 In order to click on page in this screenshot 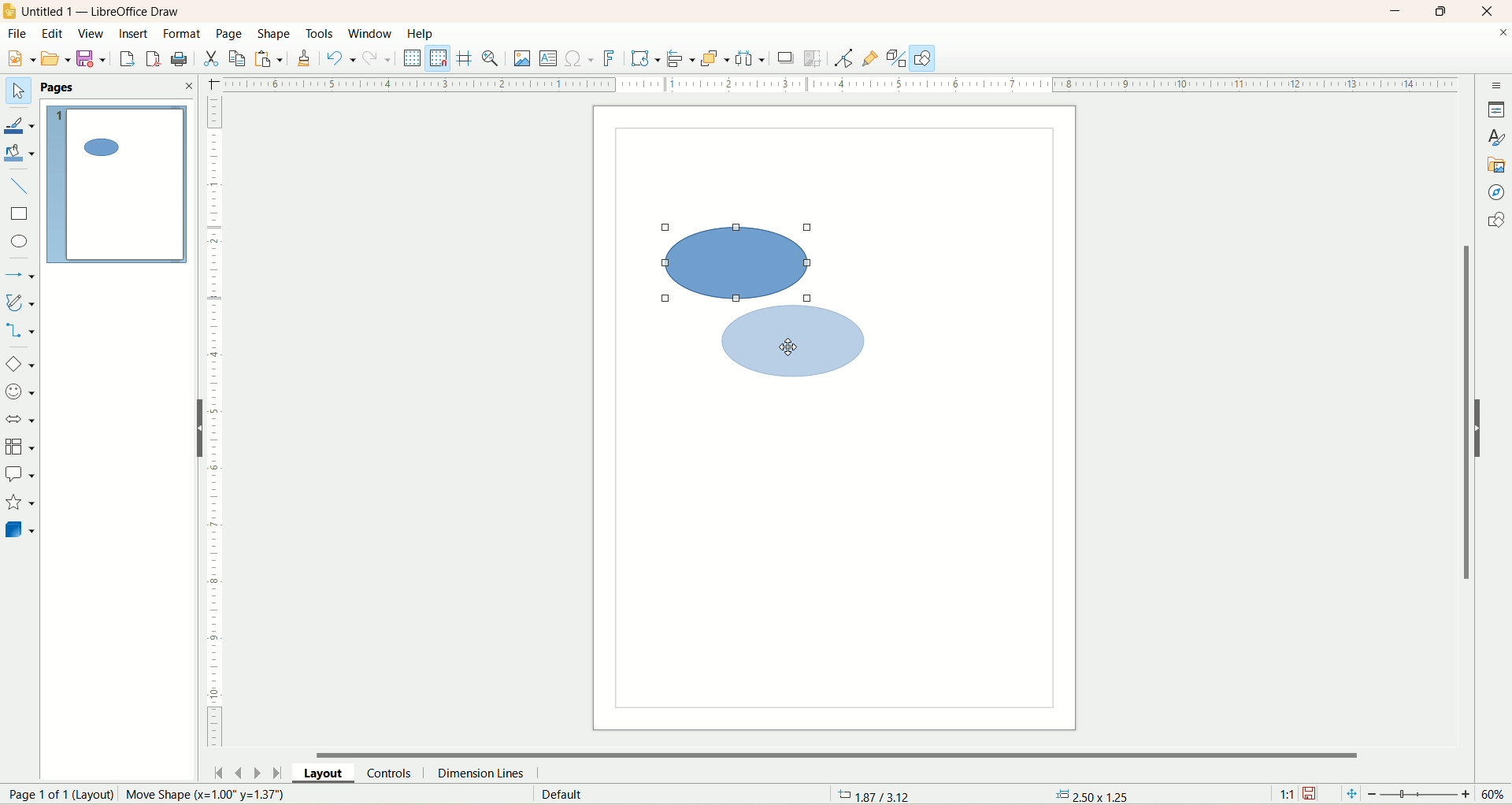, I will do `click(233, 33)`.